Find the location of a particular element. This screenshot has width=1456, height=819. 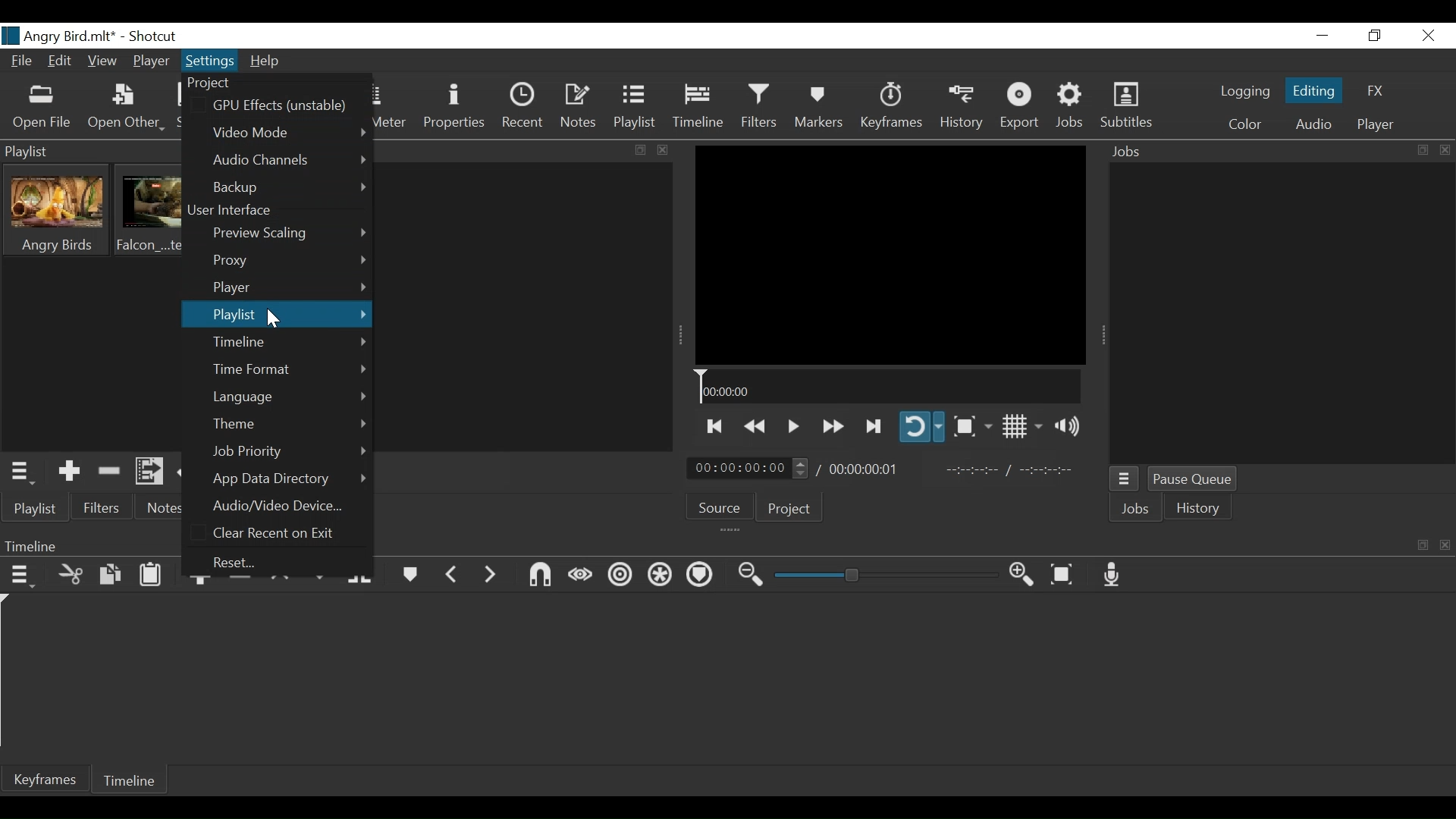

Remove cut is located at coordinates (110, 473).